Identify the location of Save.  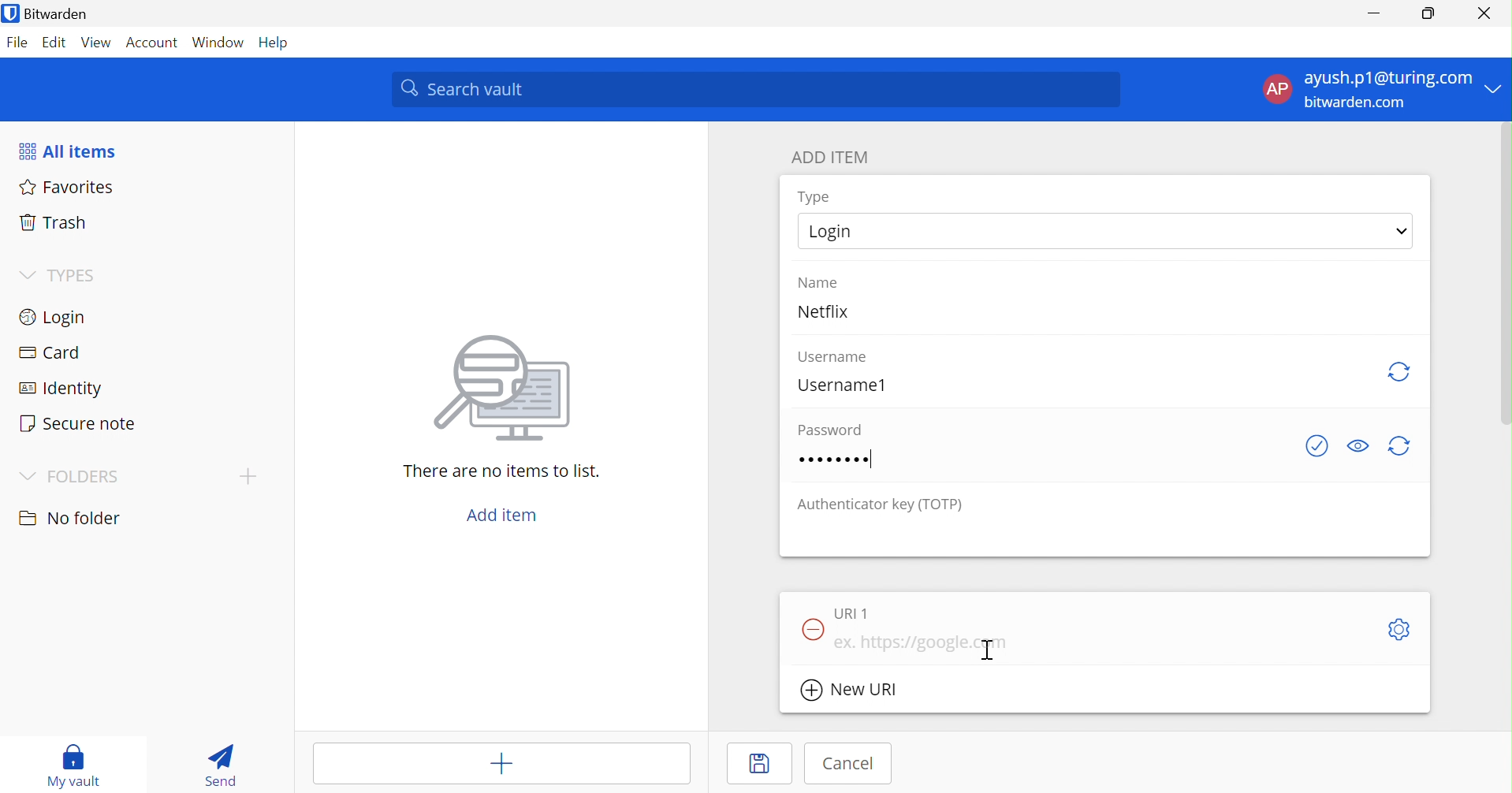
(760, 762).